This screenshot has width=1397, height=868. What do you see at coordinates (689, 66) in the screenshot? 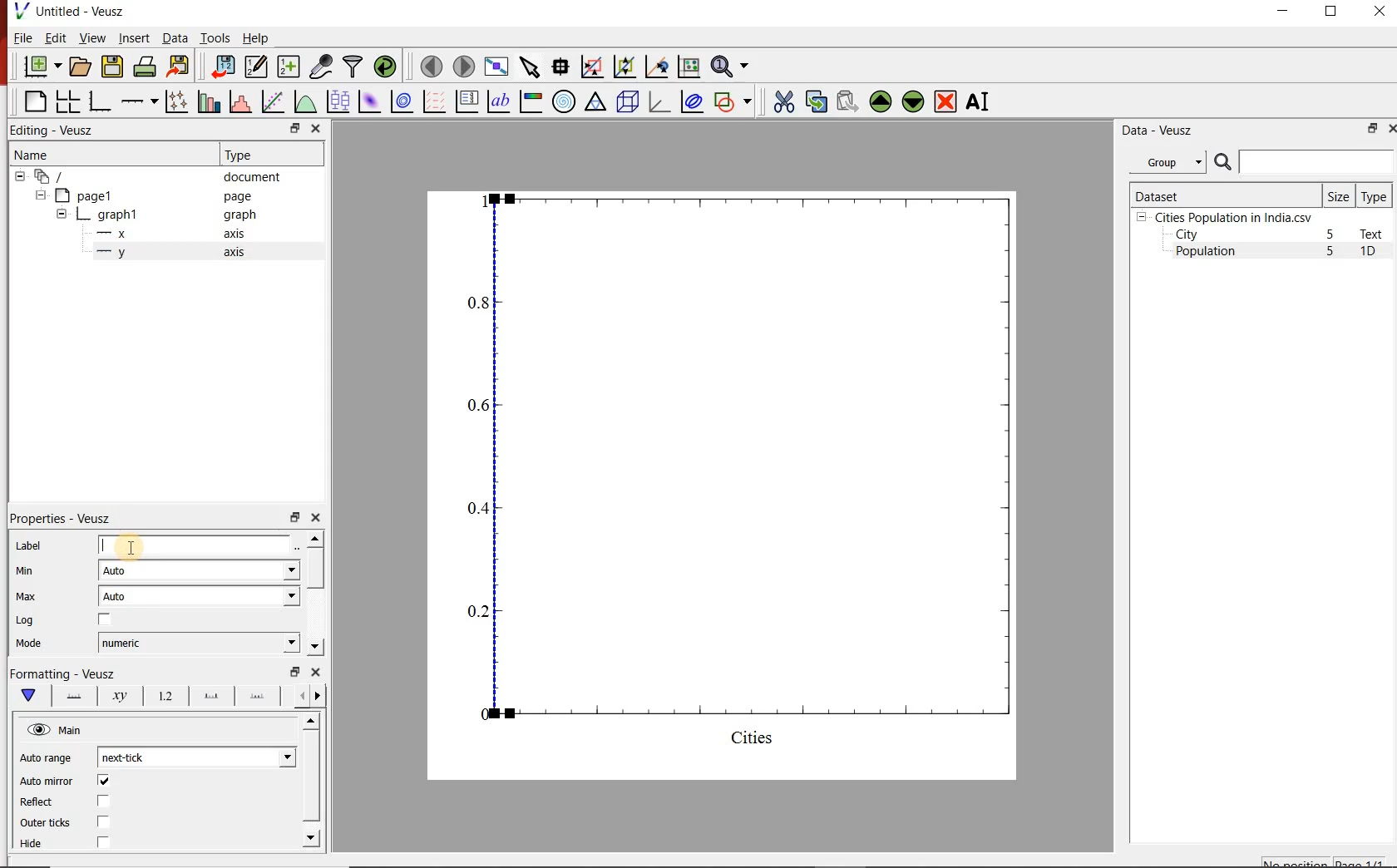
I see `click to reset graph axes` at bounding box center [689, 66].